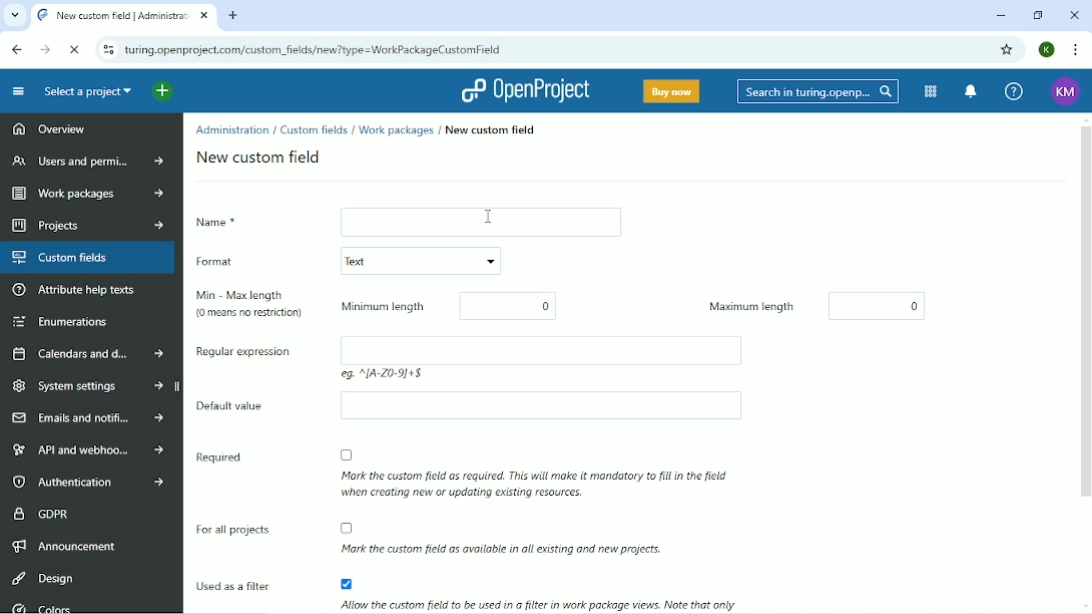 The image size is (1092, 614). I want to click on Format, so click(251, 262).